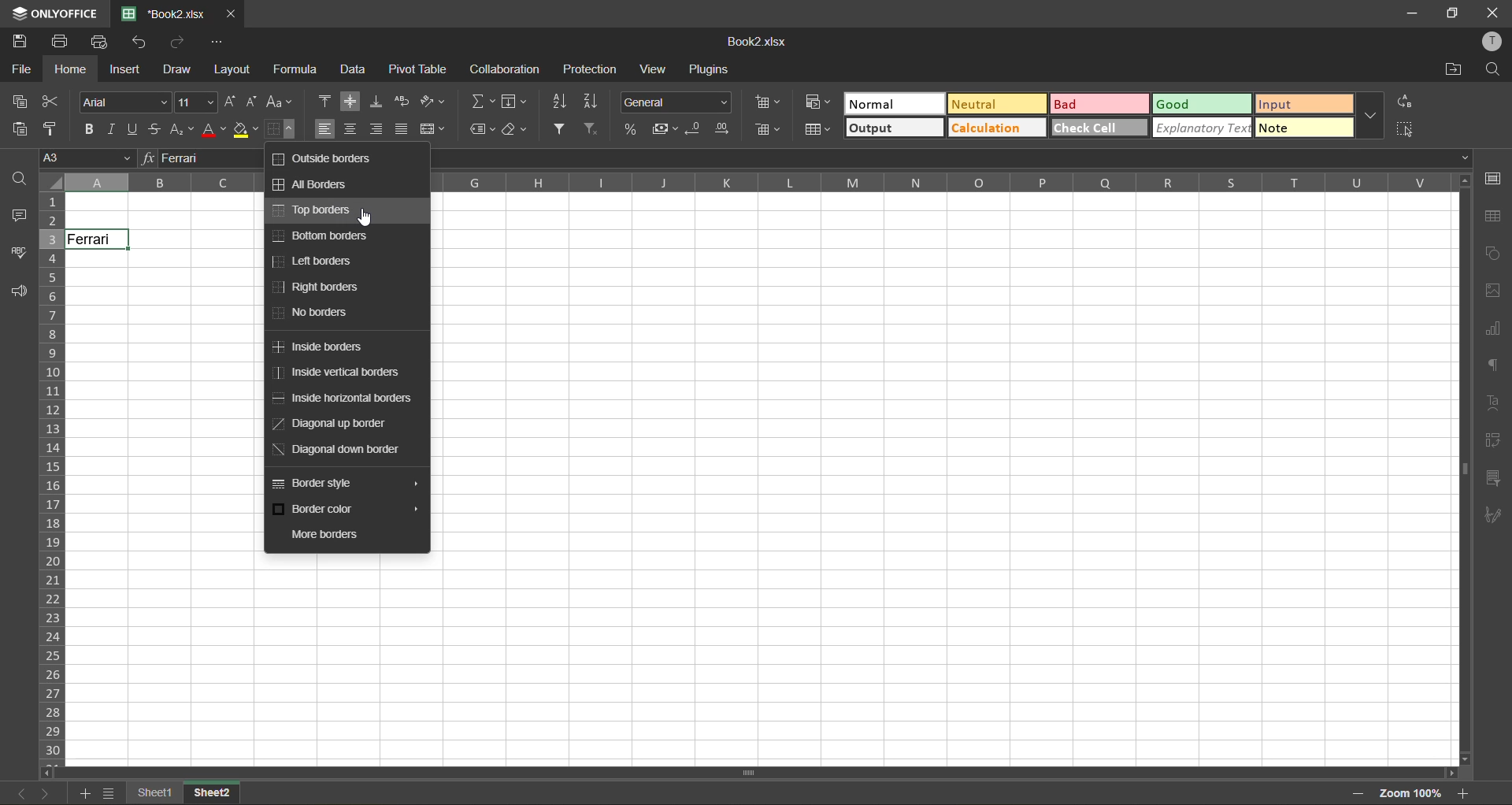 The height and width of the screenshot is (805, 1512). Describe the element at coordinates (720, 128) in the screenshot. I see `increase decimal` at that location.